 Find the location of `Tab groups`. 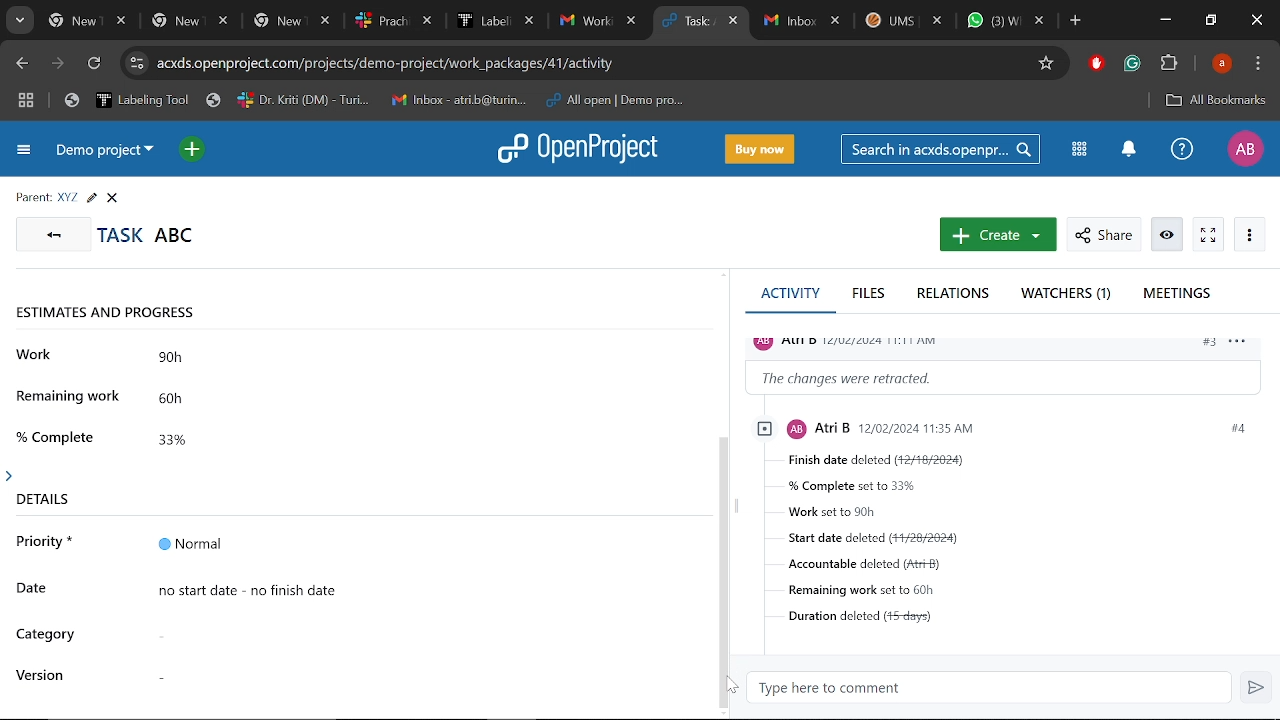

Tab groups is located at coordinates (28, 100).